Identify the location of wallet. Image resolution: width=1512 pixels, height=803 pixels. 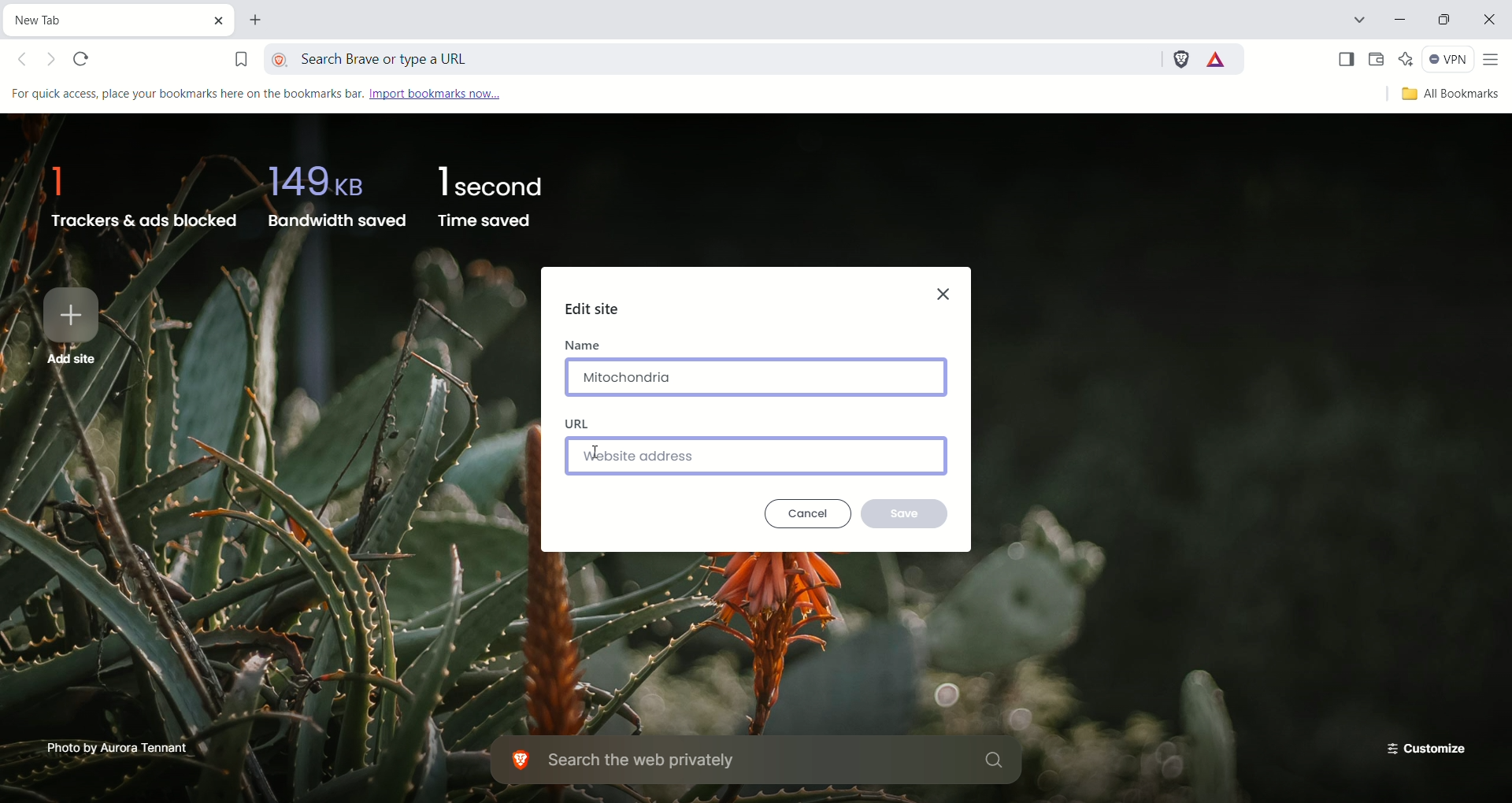
(1377, 60).